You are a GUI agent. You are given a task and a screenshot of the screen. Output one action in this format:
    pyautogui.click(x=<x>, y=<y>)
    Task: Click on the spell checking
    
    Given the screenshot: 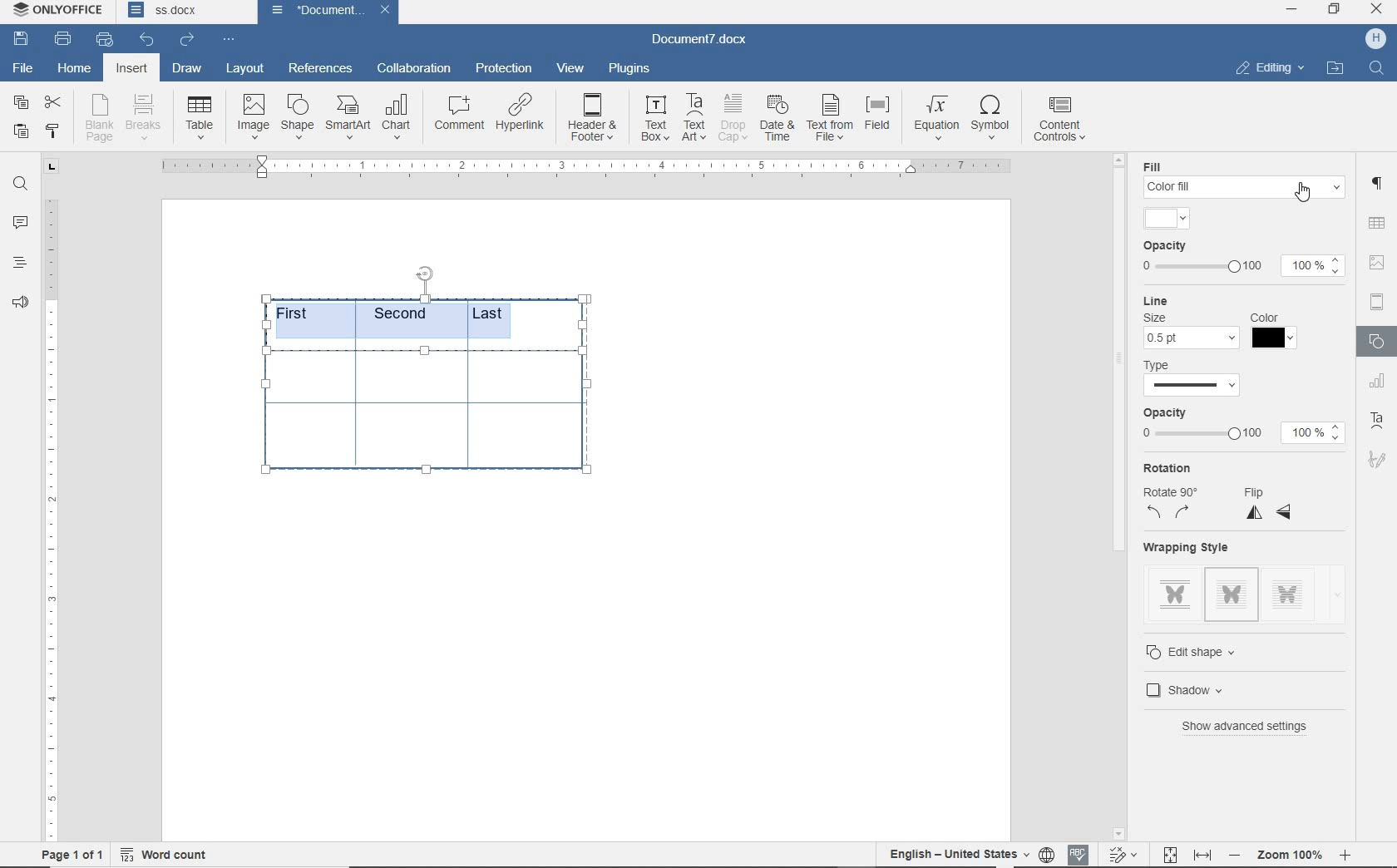 What is the action you would take?
    pyautogui.click(x=1079, y=853)
    